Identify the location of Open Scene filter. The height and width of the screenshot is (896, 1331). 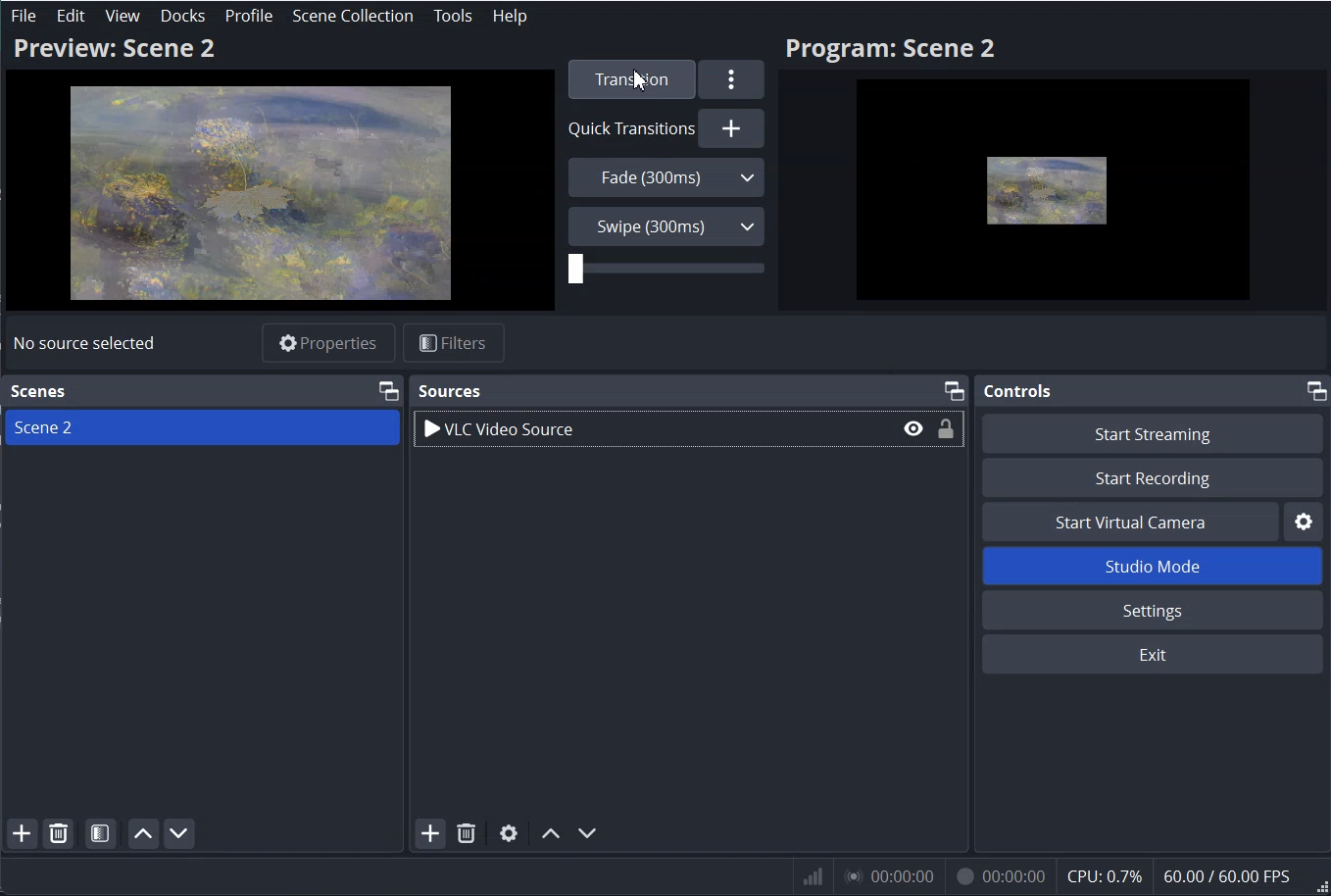
(101, 832).